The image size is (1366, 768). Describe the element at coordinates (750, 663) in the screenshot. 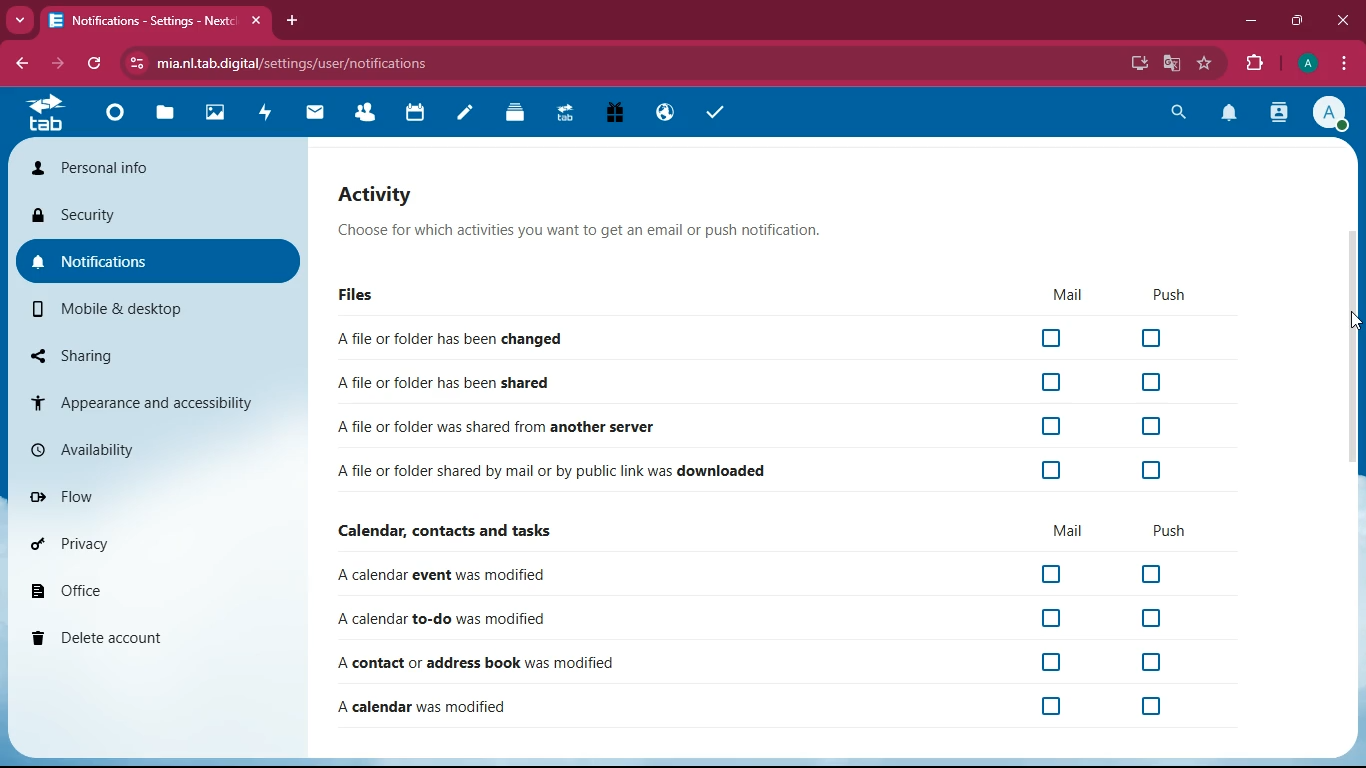

I see `A contact or address book was modified` at that location.